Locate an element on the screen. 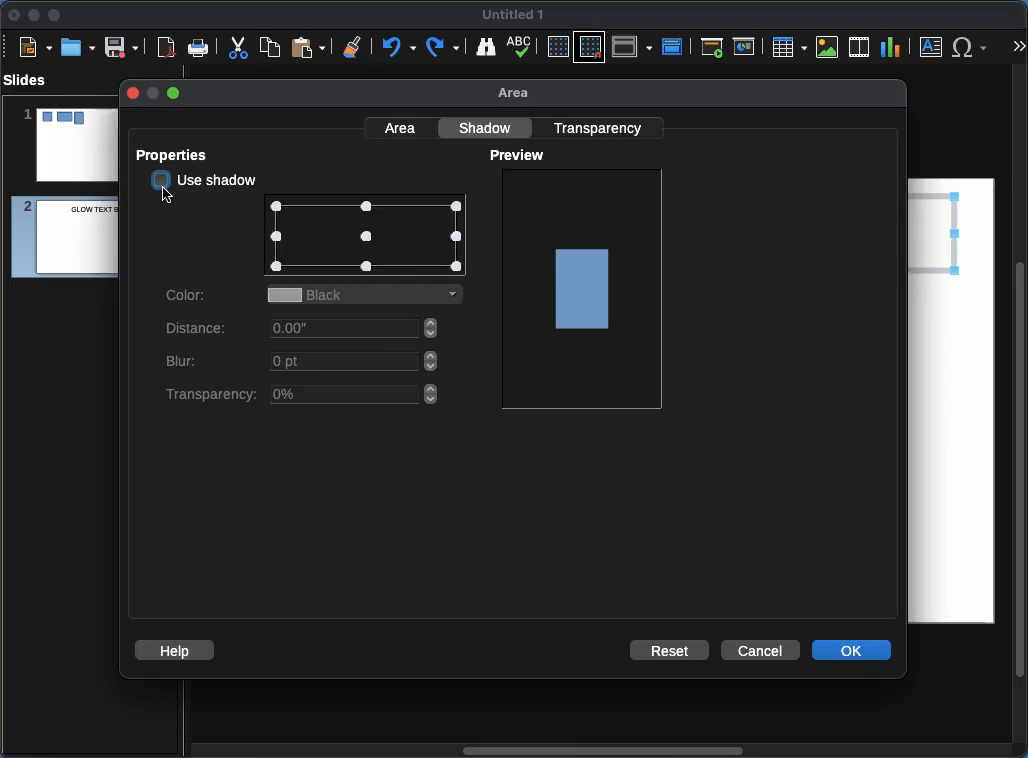  Master slide is located at coordinates (675, 46).